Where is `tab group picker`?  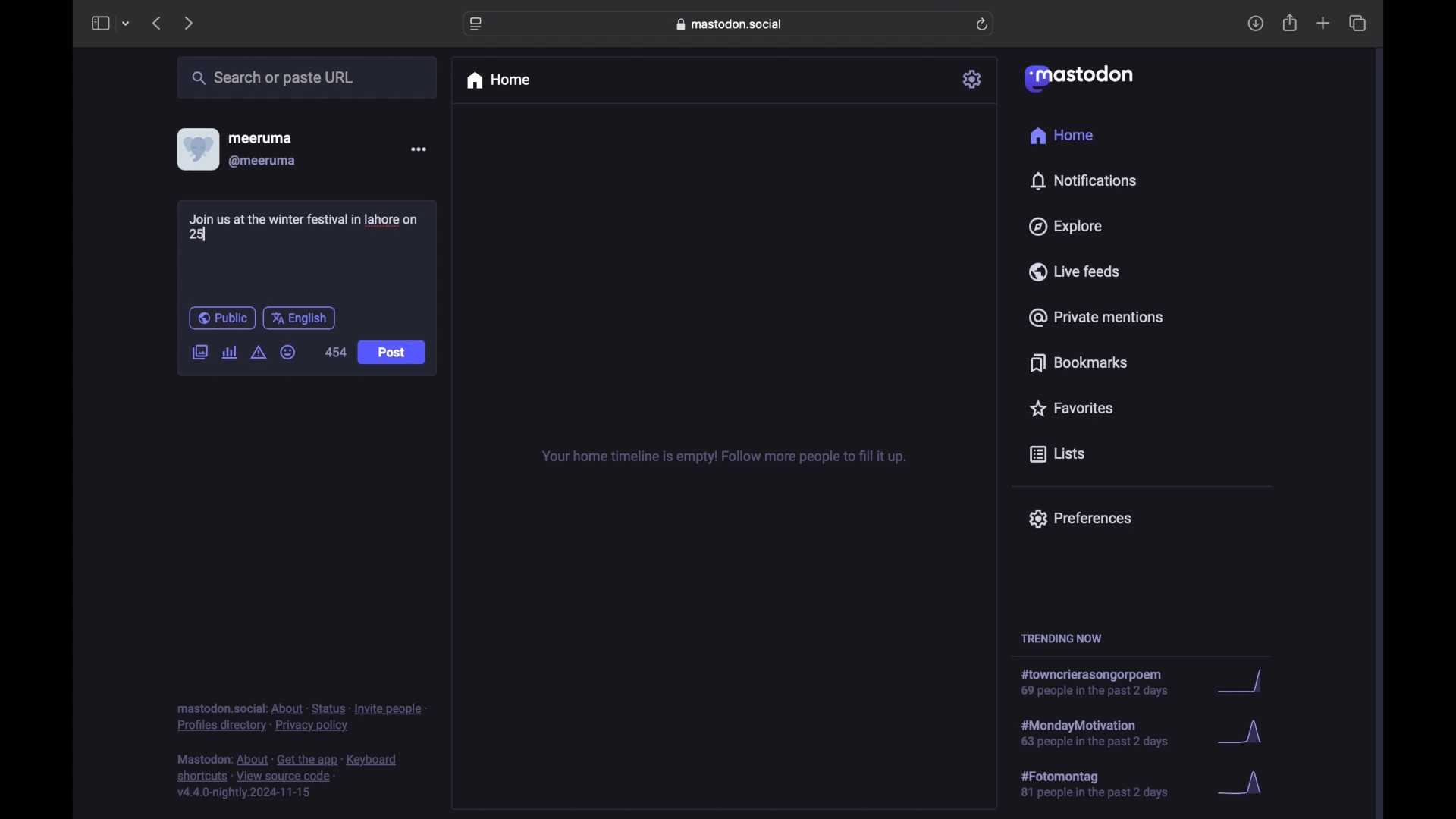 tab group picker is located at coordinates (126, 24).